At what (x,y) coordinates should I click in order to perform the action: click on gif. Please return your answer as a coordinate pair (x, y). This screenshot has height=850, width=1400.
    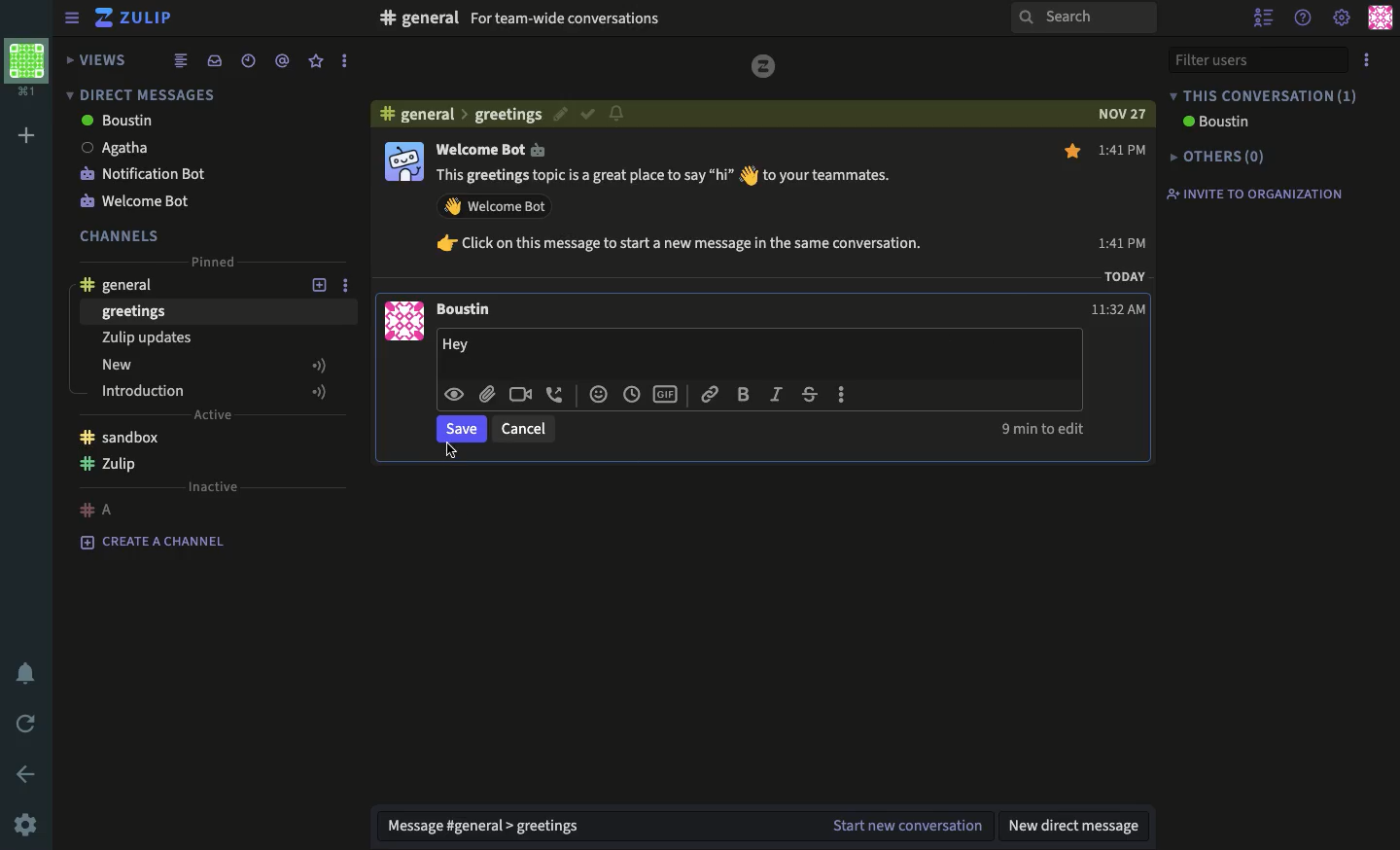
    Looking at the image, I should click on (669, 393).